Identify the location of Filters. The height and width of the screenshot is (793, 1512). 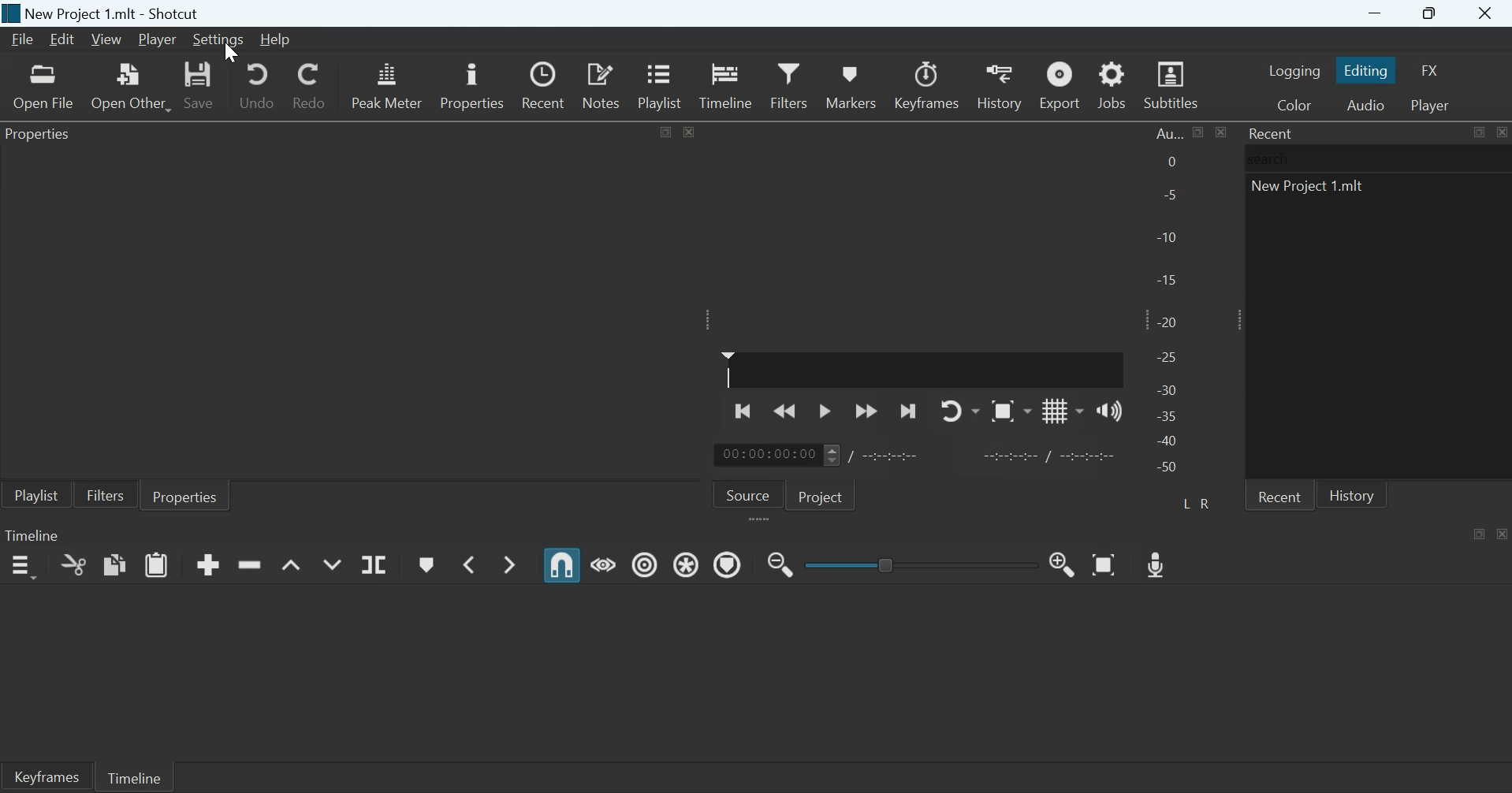
(105, 494).